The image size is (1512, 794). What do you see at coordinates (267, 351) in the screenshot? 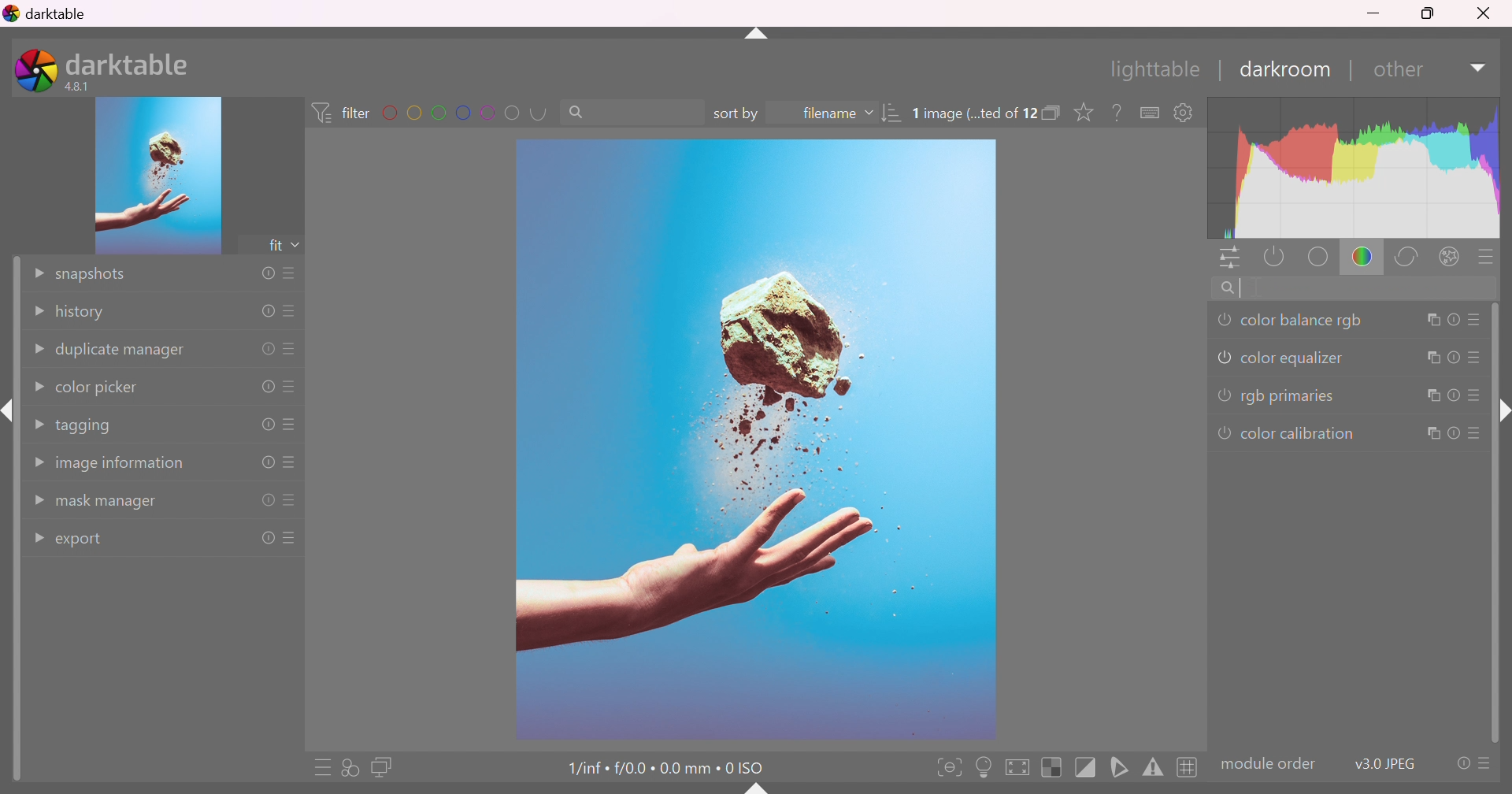
I see `reset` at bounding box center [267, 351].